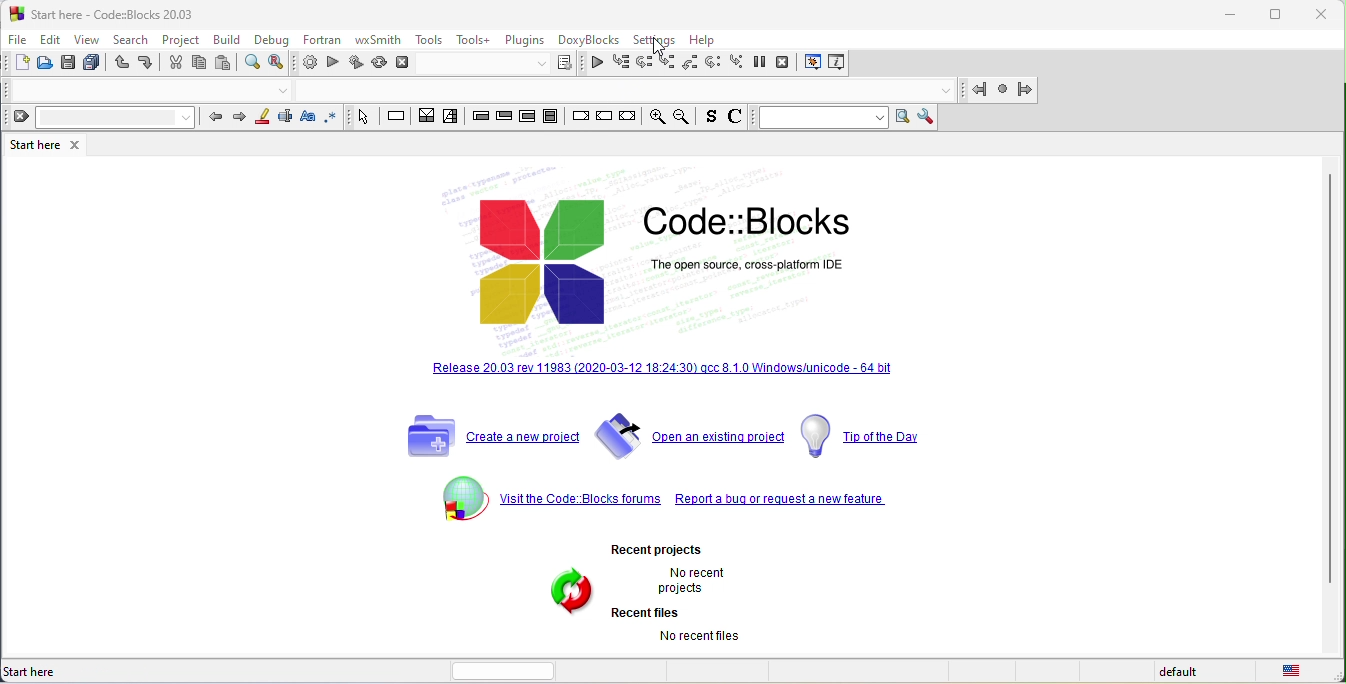 The height and width of the screenshot is (684, 1346). I want to click on top of the day, so click(868, 435).